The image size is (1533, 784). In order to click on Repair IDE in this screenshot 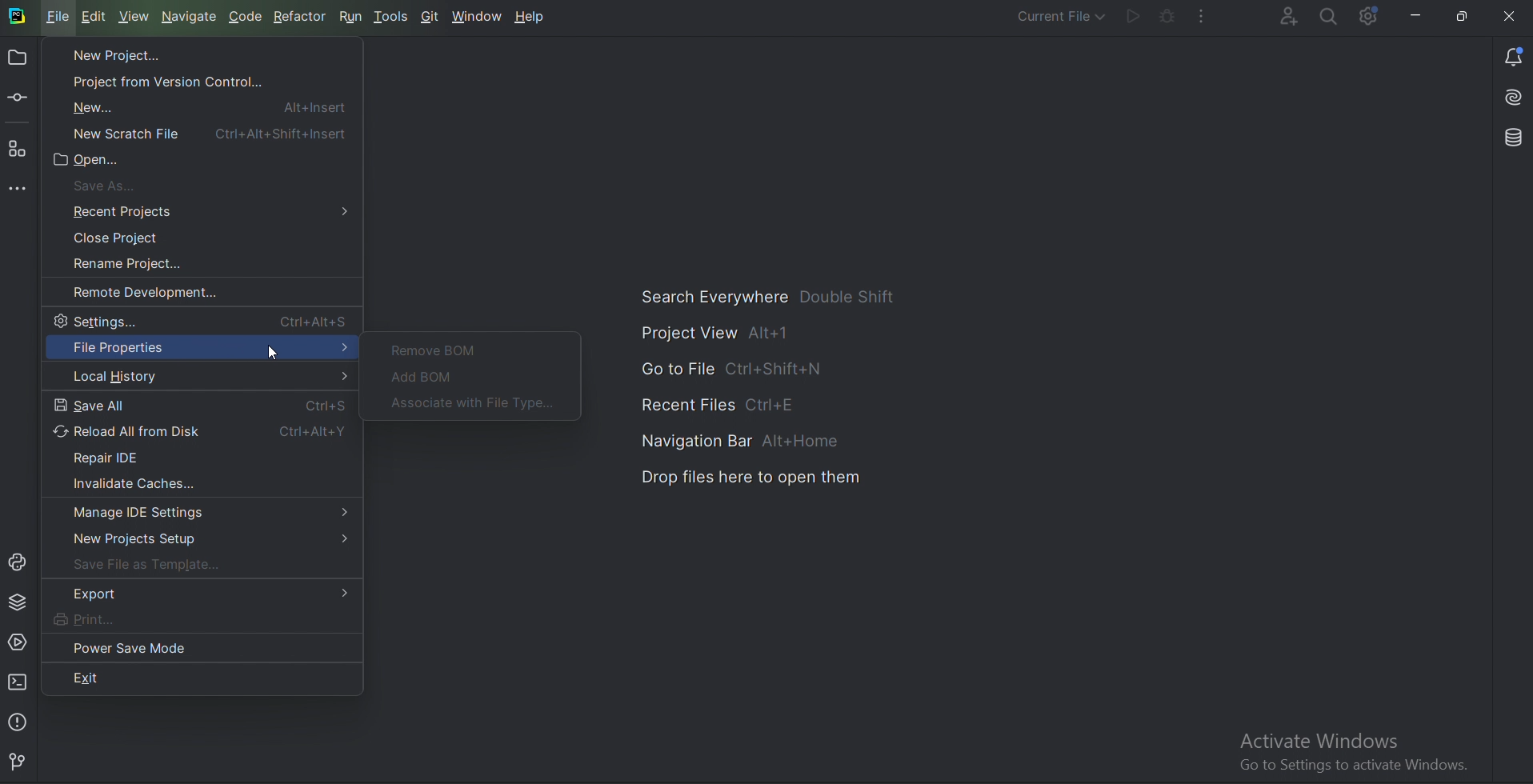, I will do `click(122, 456)`.